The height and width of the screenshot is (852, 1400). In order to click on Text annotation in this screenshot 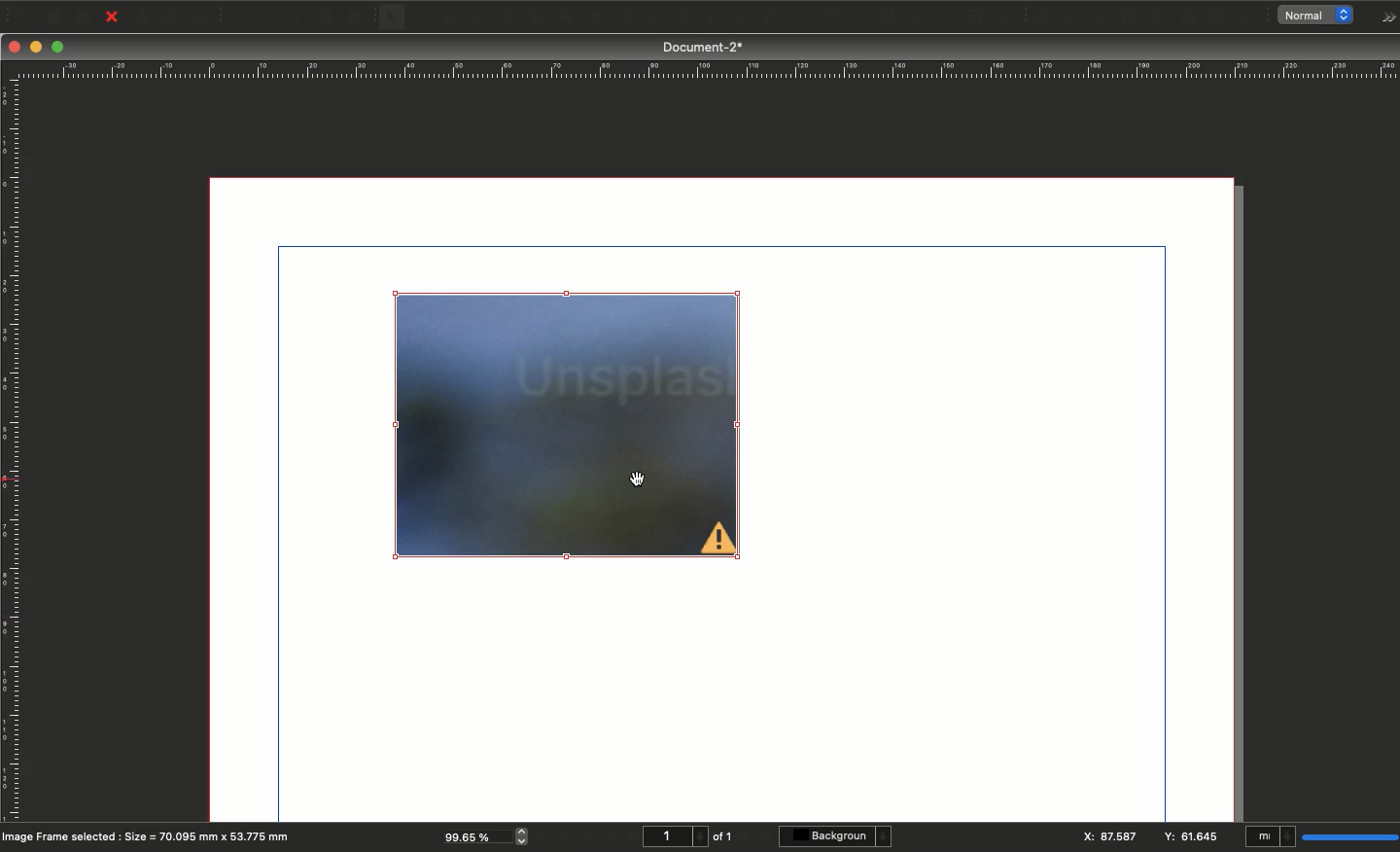, I will do `click(1220, 18)`.